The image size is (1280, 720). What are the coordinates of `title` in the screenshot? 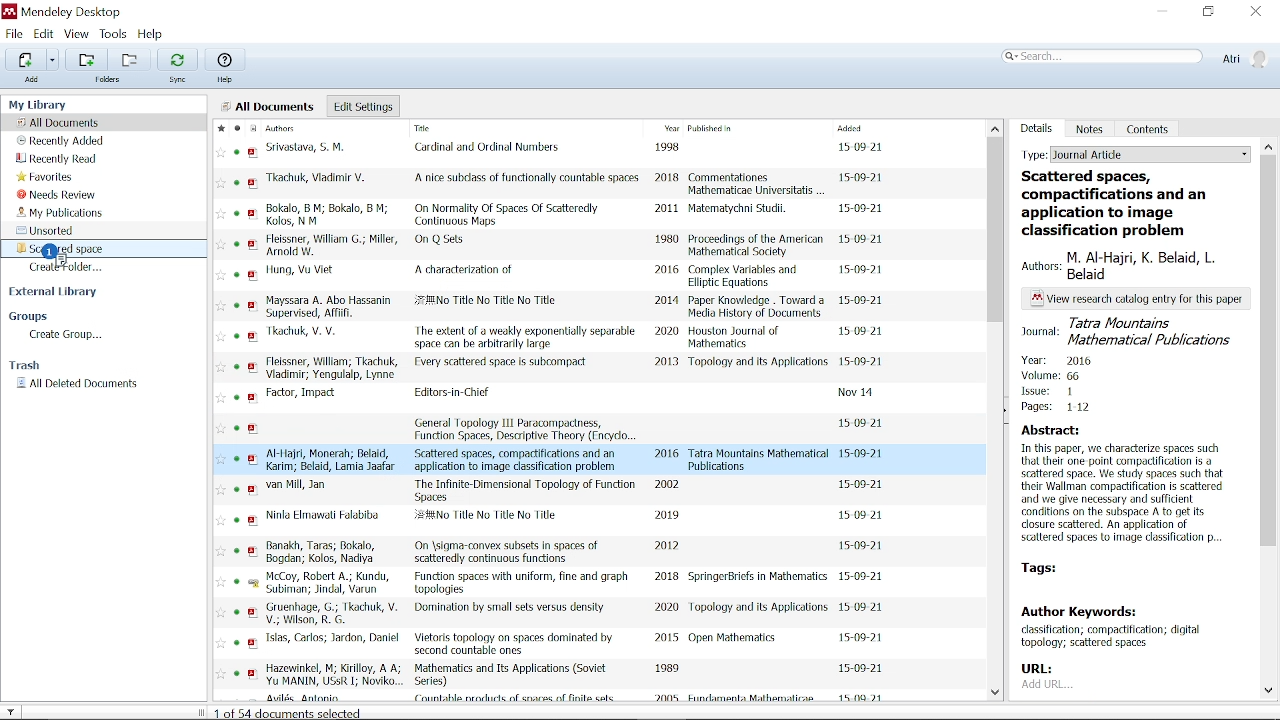 It's located at (492, 149).